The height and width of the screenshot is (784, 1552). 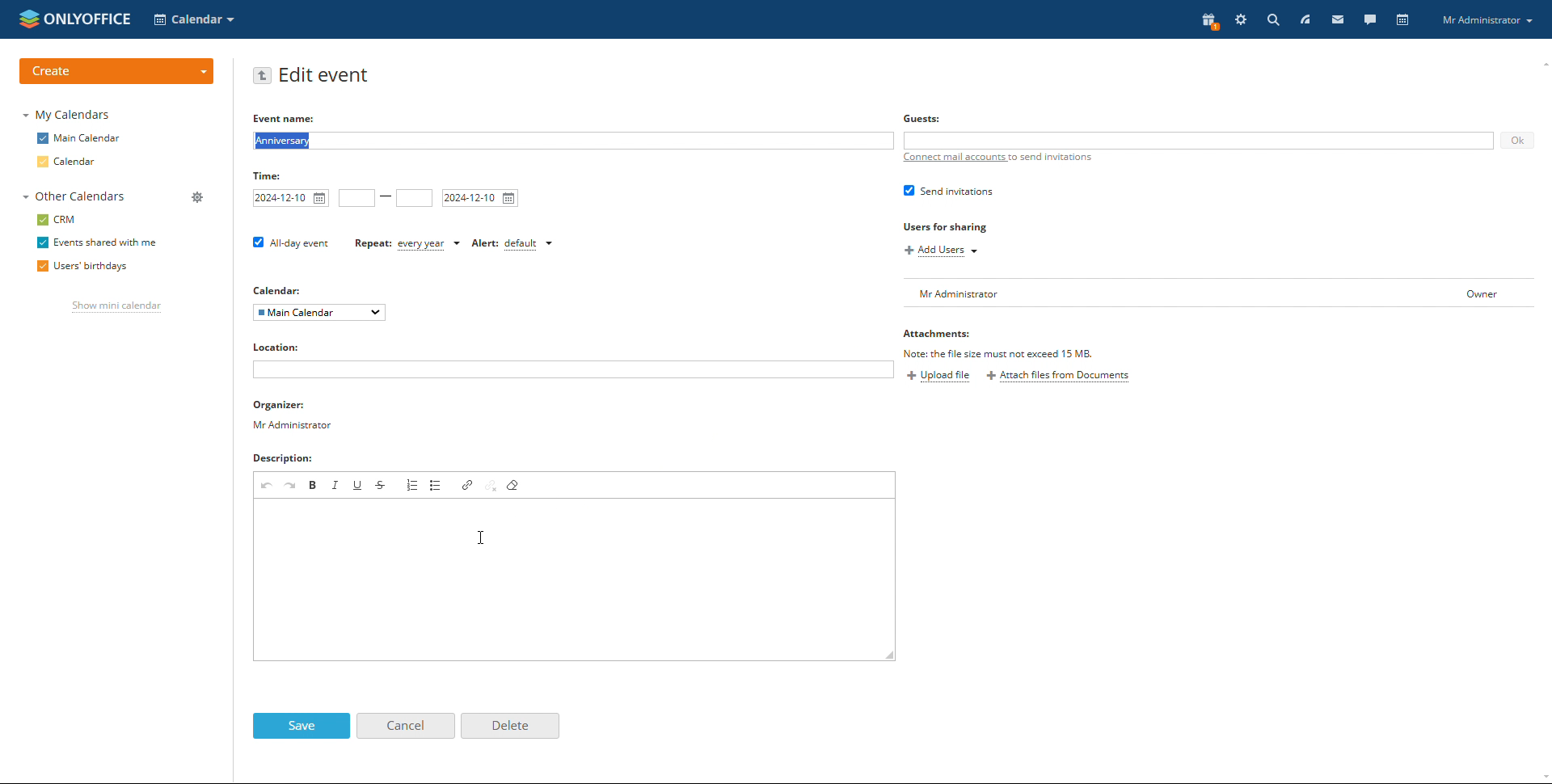 I want to click on set alert, so click(x=513, y=244).